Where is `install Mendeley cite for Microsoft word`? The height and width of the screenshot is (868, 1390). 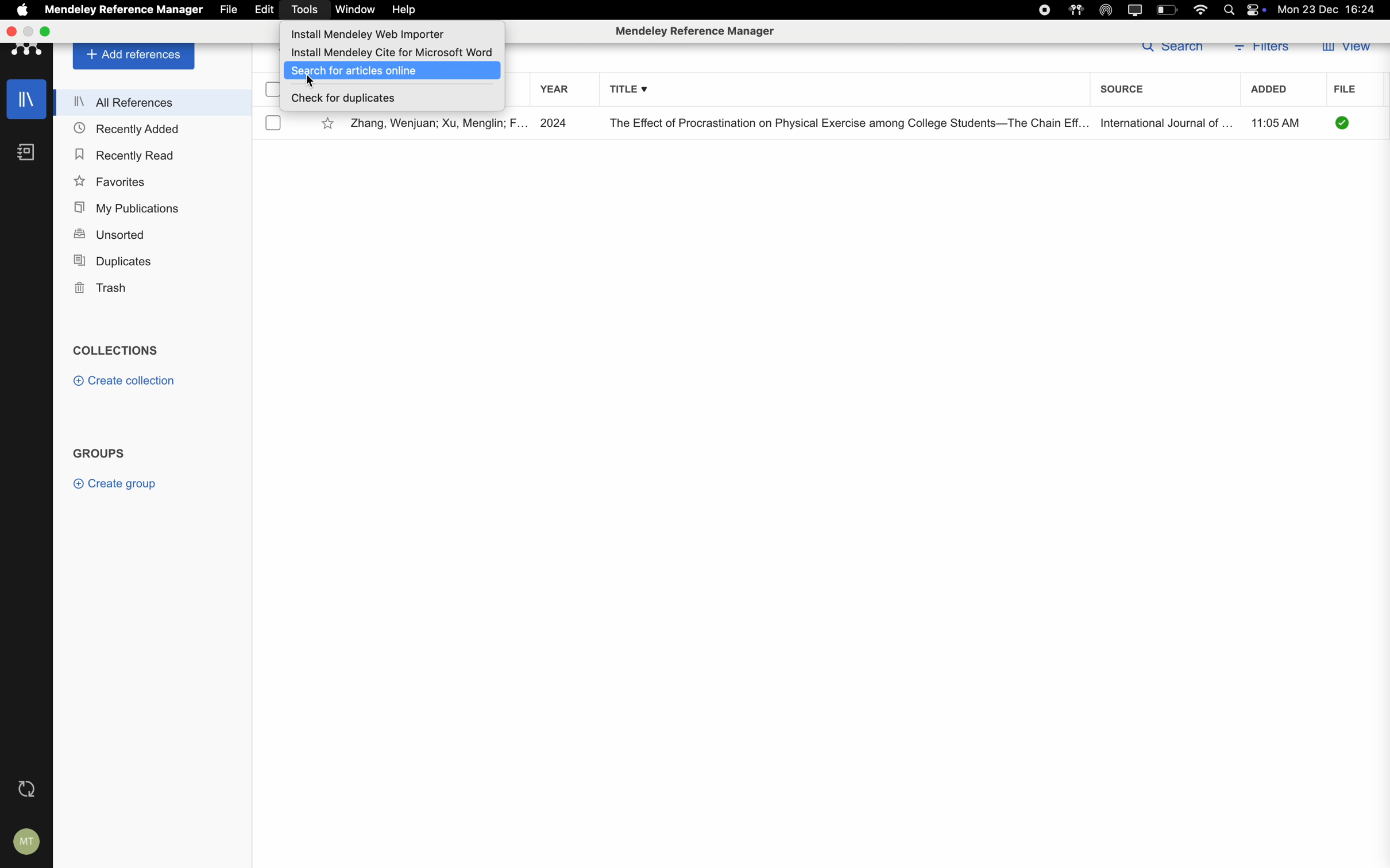 install Mendeley cite for Microsoft word is located at coordinates (391, 53).